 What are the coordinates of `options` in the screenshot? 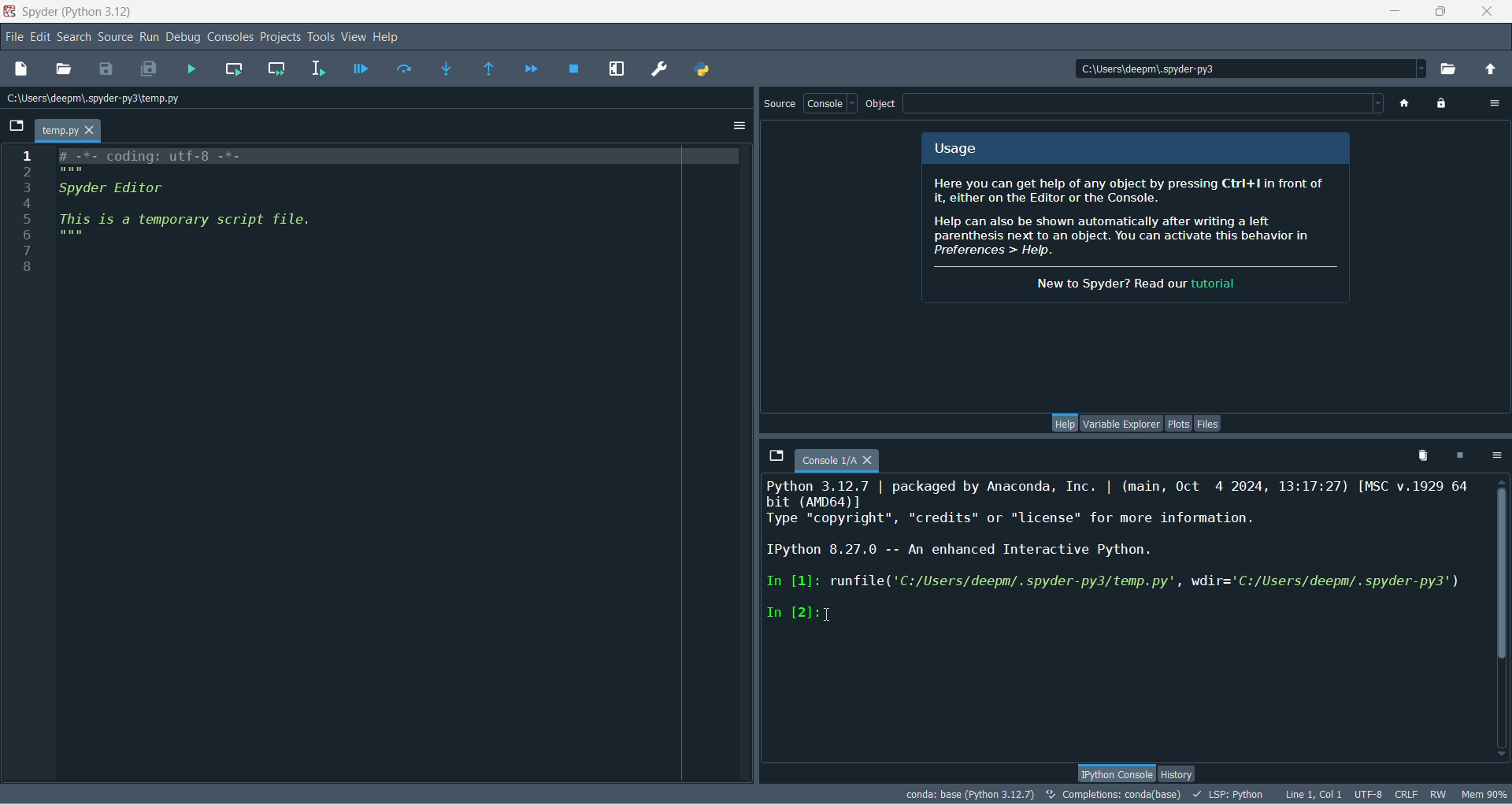 It's located at (739, 126).